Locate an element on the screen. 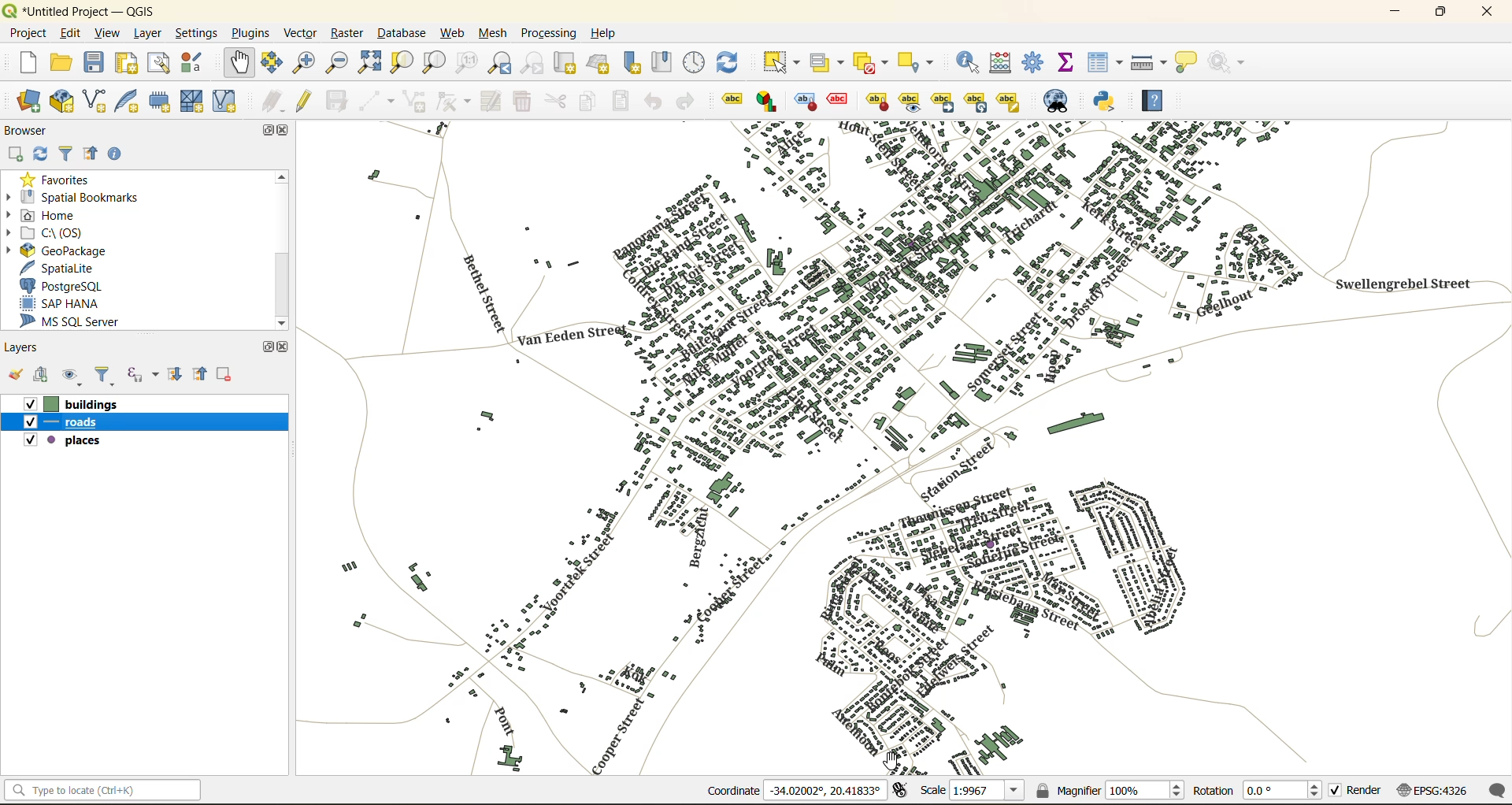 This screenshot has width=1512, height=805. postgresql is located at coordinates (69, 284).